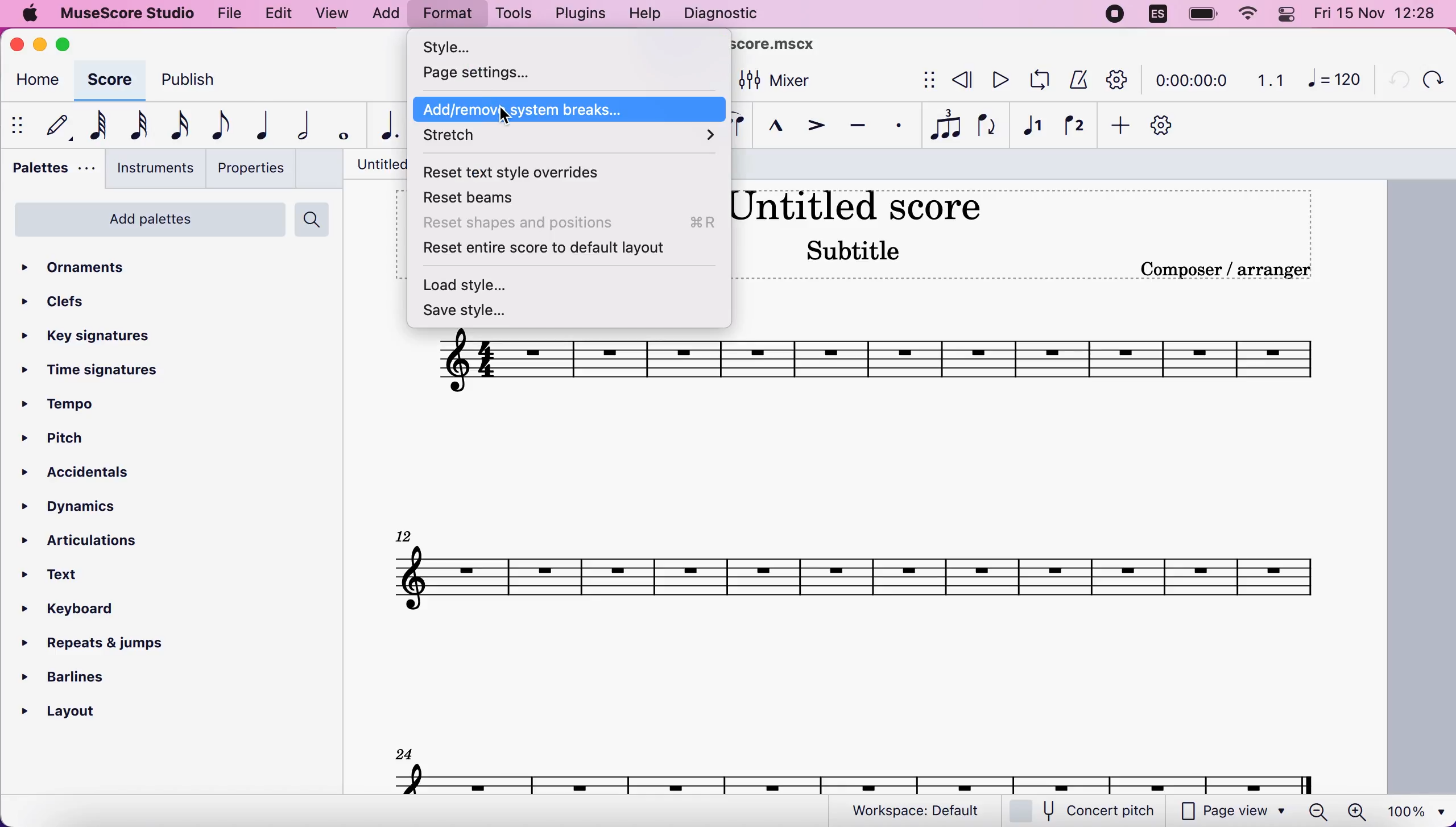  What do you see at coordinates (315, 220) in the screenshot?
I see `search` at bounding box center [315, 220].